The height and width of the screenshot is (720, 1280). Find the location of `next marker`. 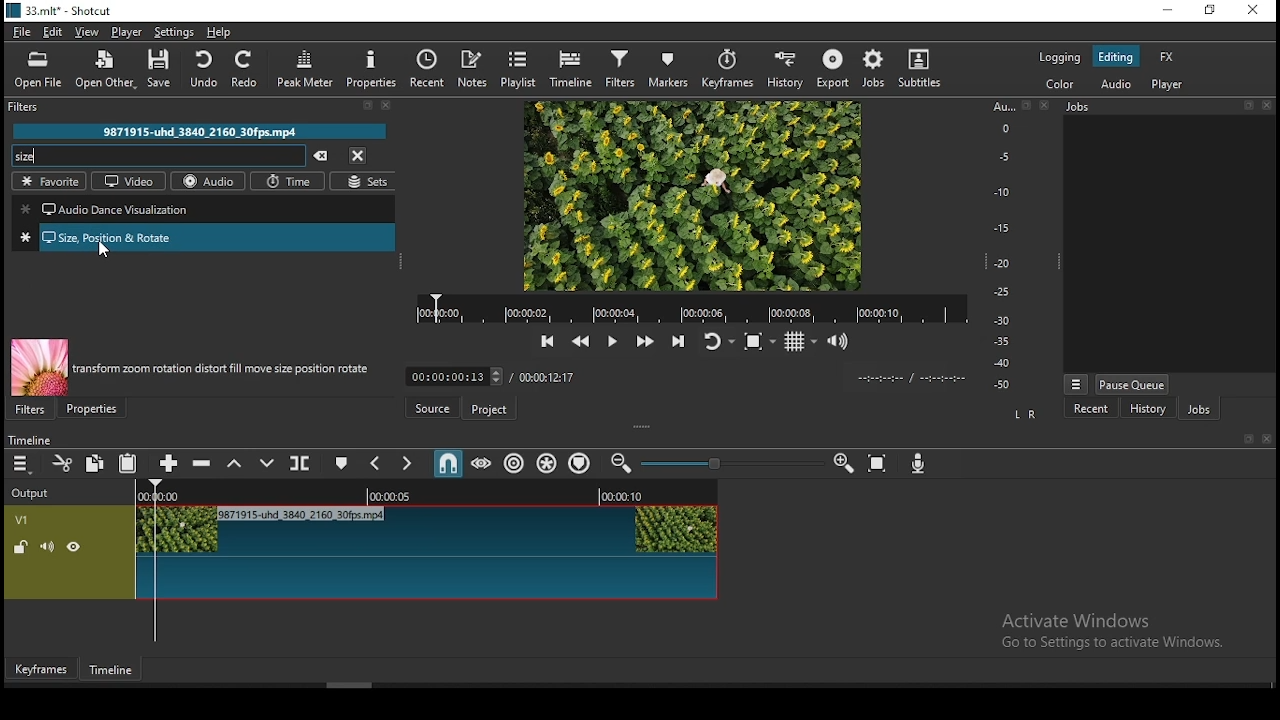

next marker is located at coordinates (407, 462).